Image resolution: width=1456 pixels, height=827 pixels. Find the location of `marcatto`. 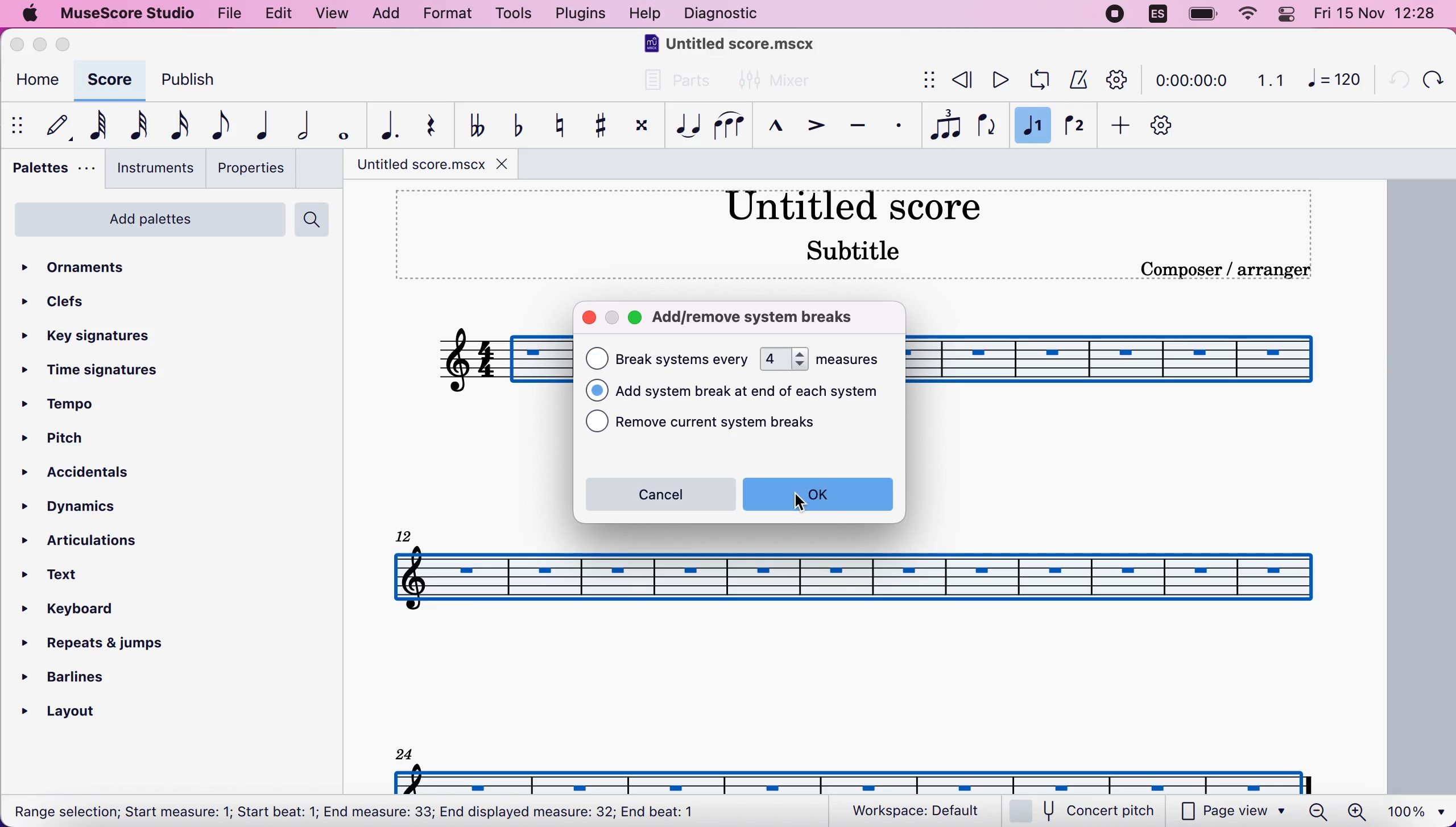

marcatto is located at coordinates (772, 129).